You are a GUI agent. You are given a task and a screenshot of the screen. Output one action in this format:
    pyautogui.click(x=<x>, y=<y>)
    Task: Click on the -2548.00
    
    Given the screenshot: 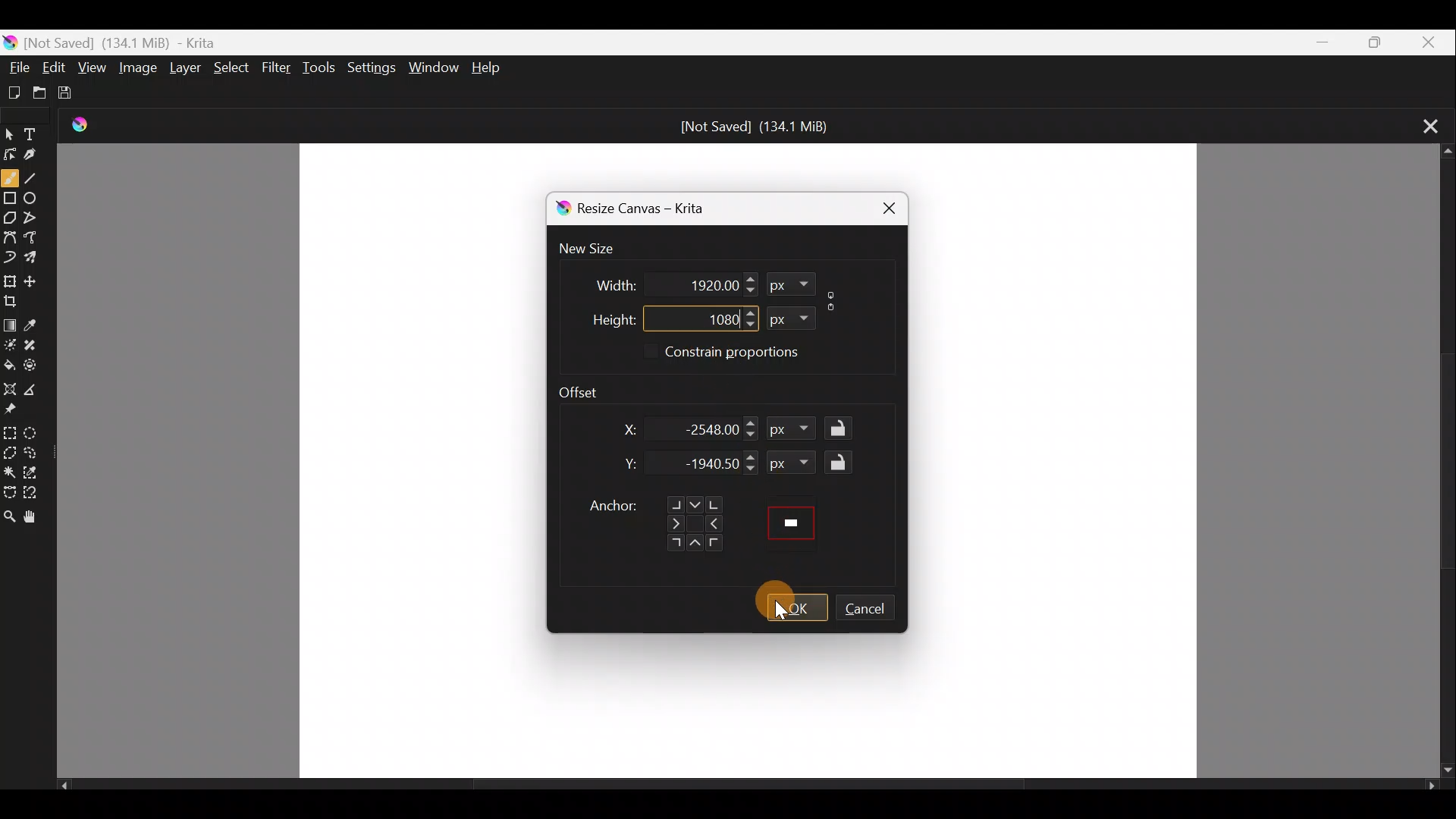 What is the action you would take?
    pyautogui.click(x=710, y=428)
    